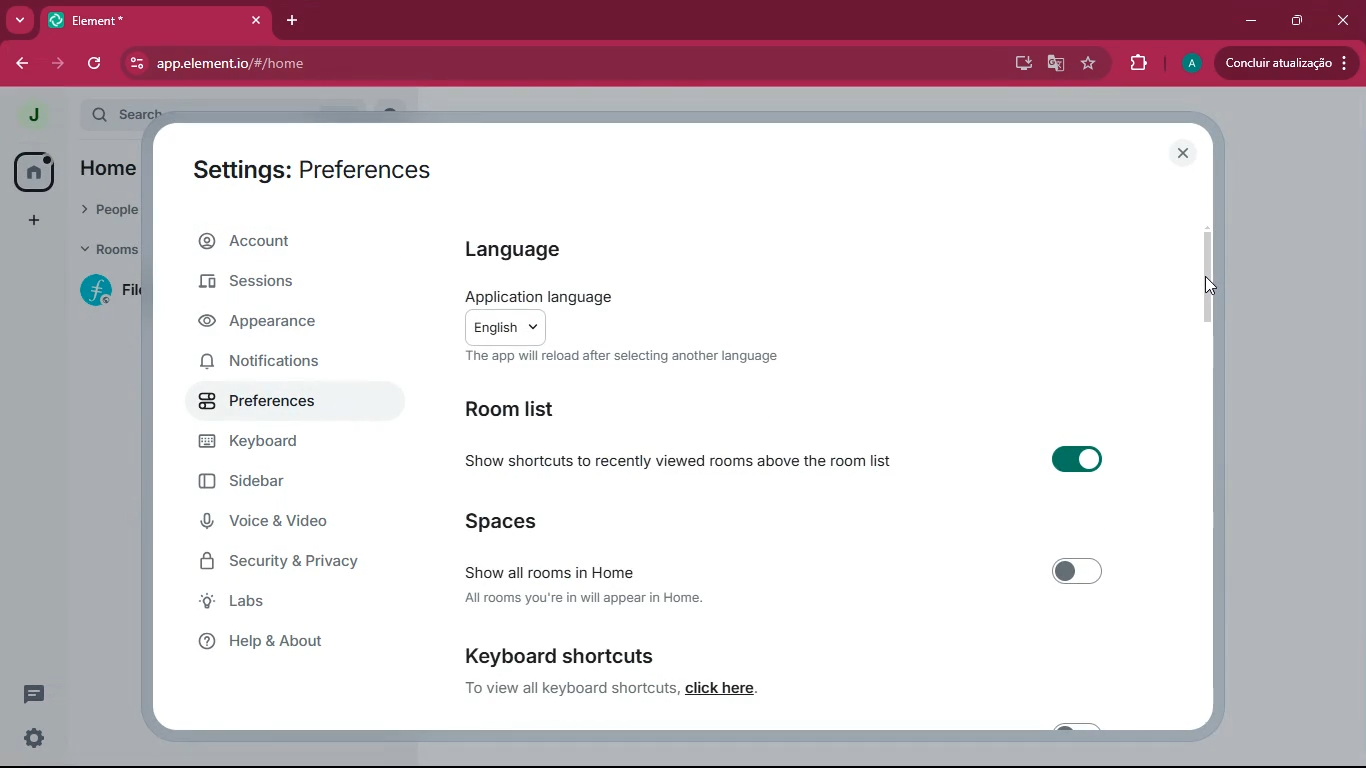  Describe the element at coordinates (720, 687) in the screenshot. I see `click here` at that location.